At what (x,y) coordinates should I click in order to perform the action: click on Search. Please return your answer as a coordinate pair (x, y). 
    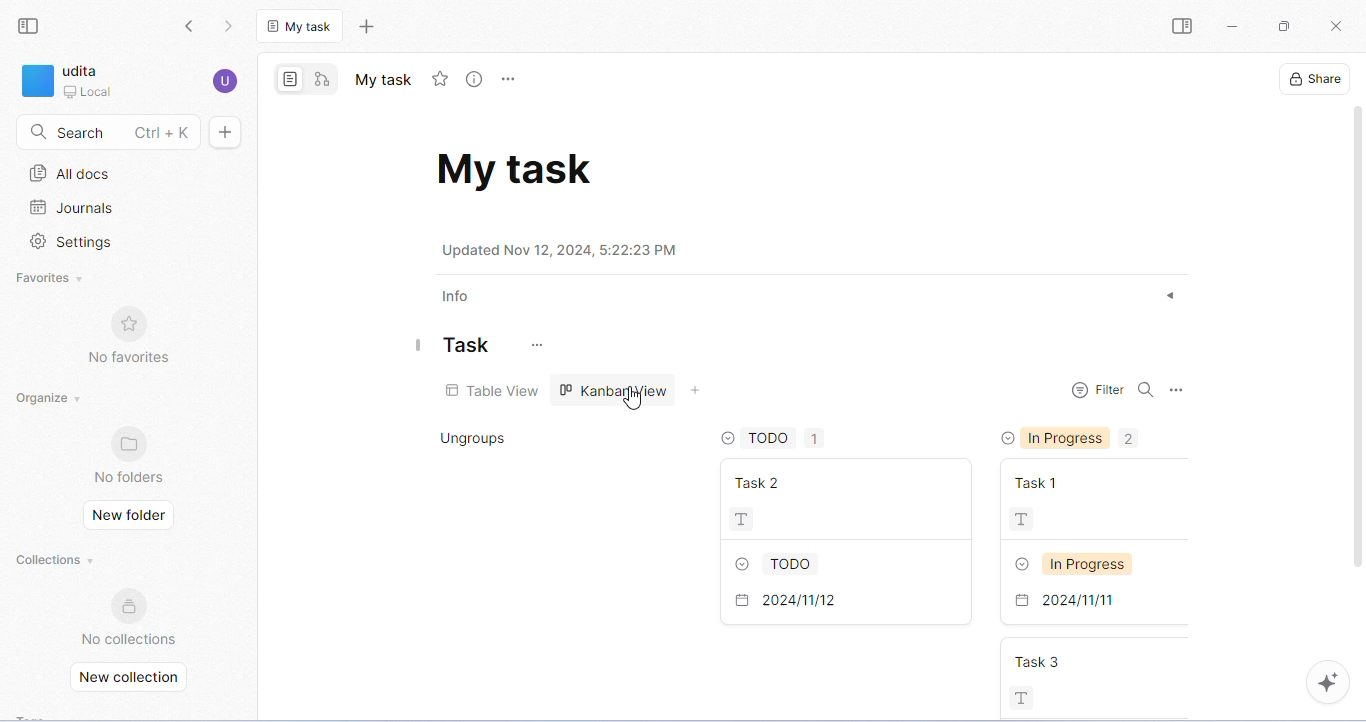
    Looking at the image, I should click on (1146, 394).